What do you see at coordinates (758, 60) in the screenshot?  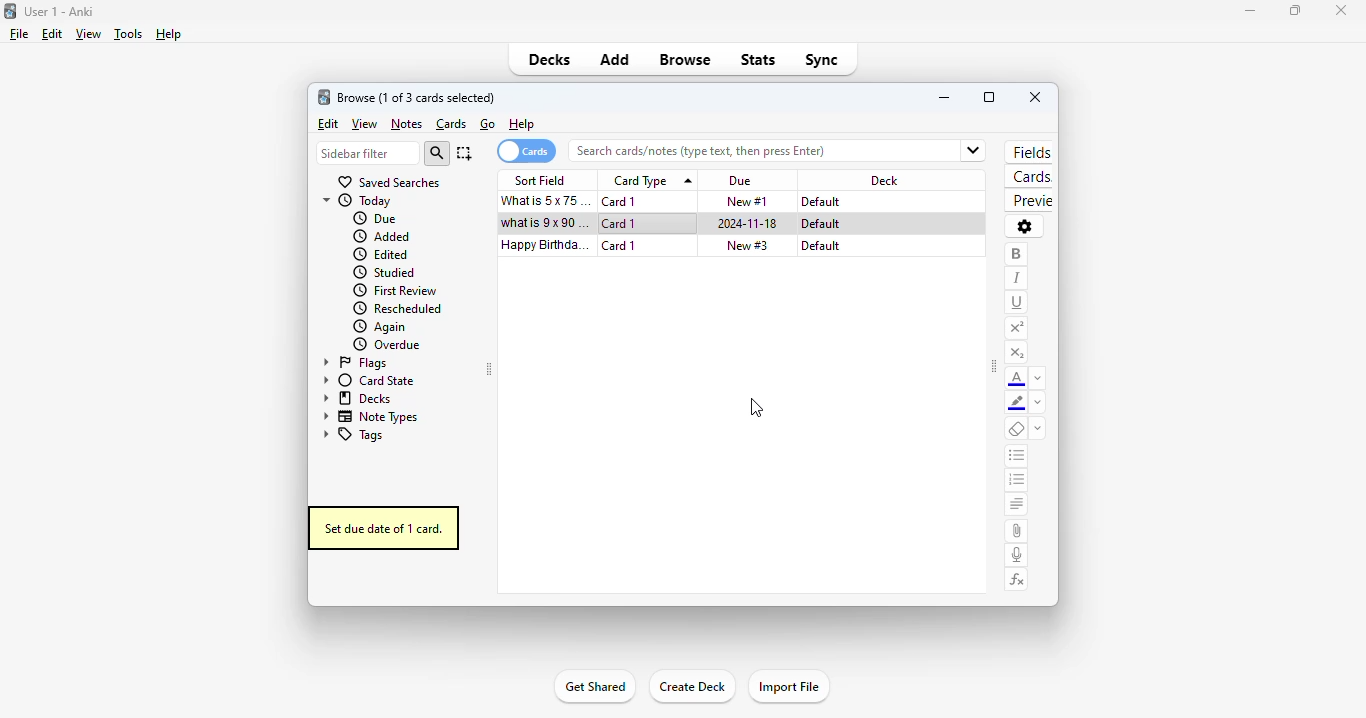 I see `stats` at bounding box center [758, 60].